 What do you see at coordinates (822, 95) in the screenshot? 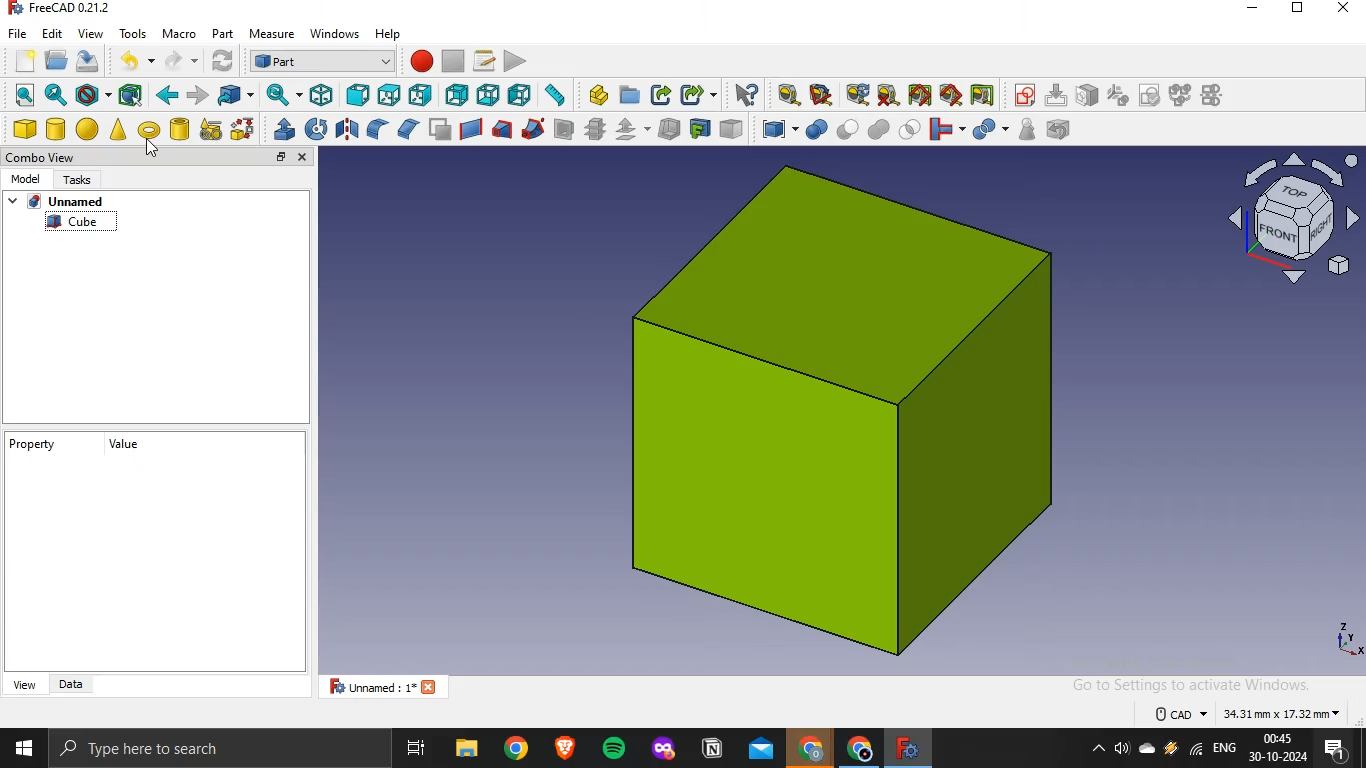
I see `measure angular` at bounding box center [822, 95].